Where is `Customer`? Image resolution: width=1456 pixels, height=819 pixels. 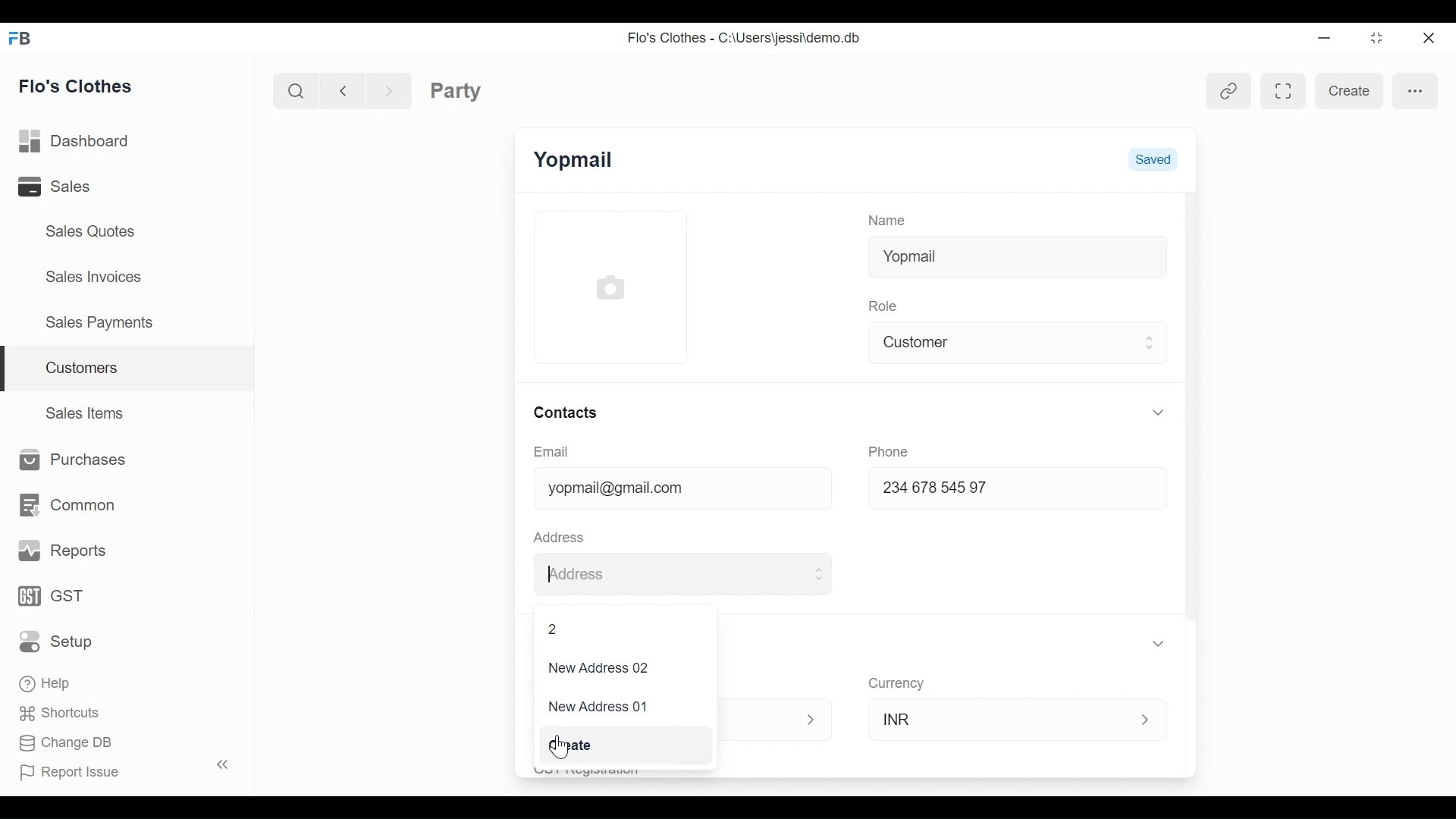
Customer is located at coordinates (1004, 343).